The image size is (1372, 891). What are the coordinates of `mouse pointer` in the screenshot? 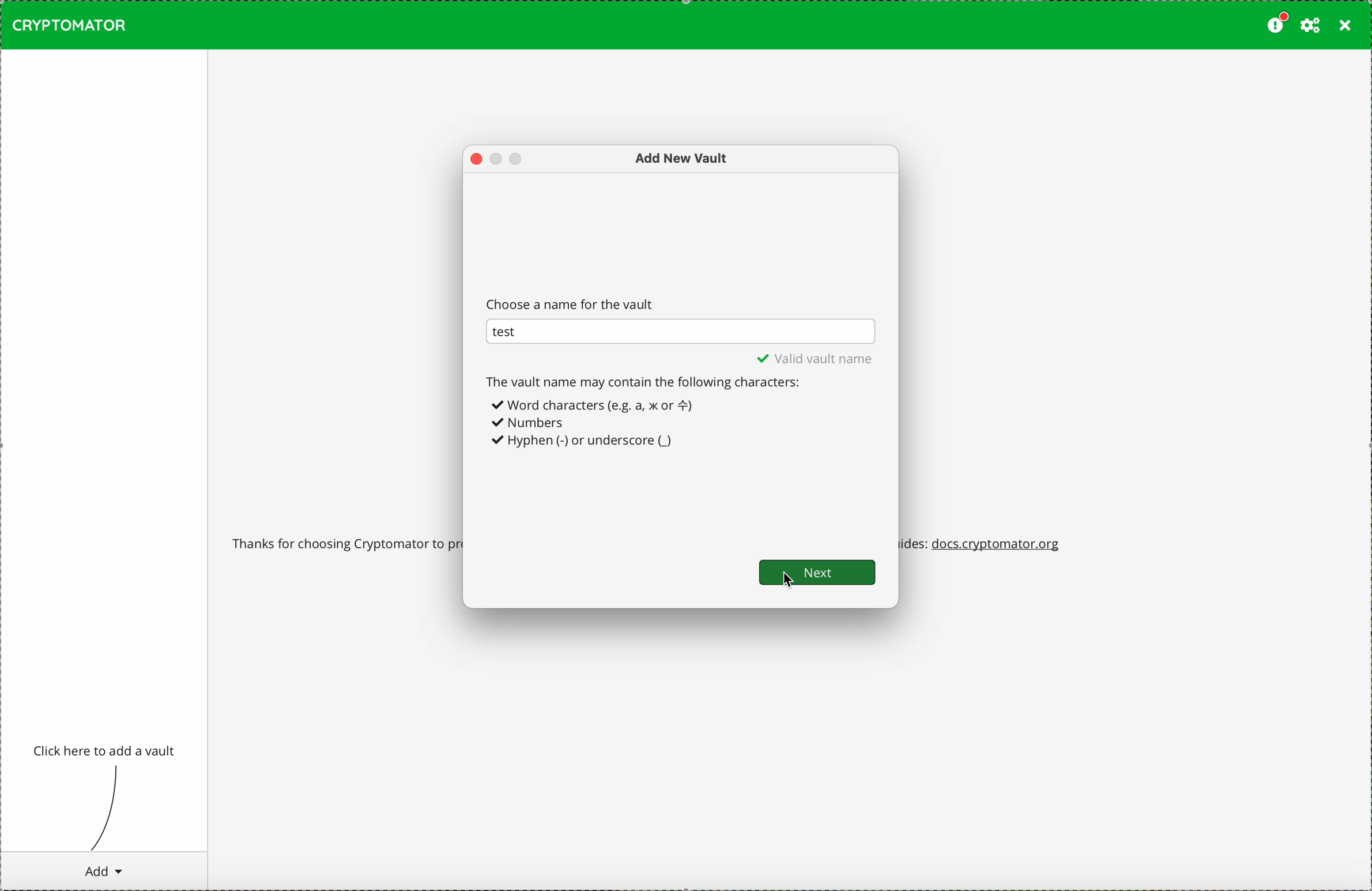 It's located at (787, 581).